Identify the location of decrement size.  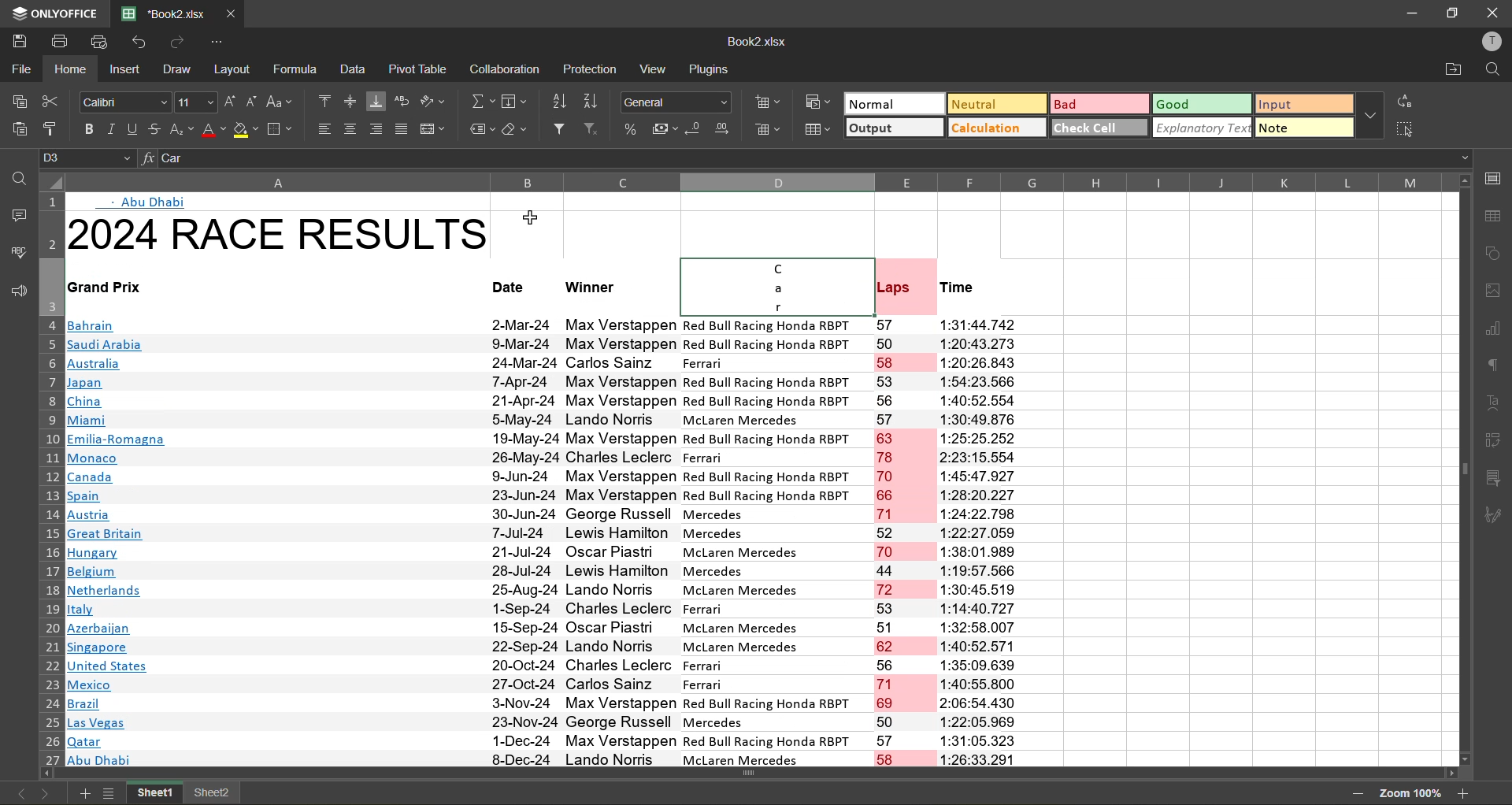
(256, 101).